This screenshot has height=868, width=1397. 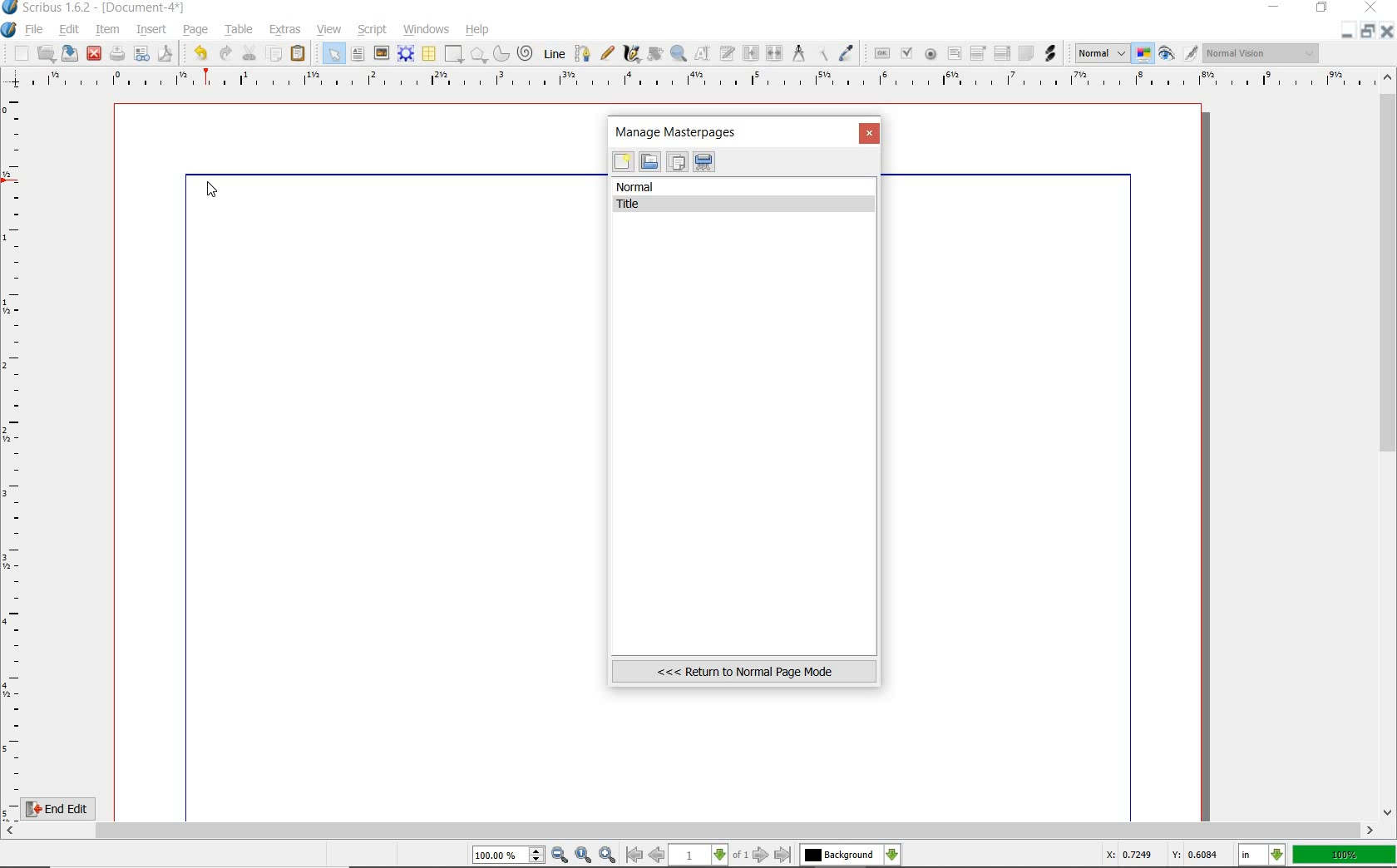 I want to click on minimize, so click(x=1276, y=8).